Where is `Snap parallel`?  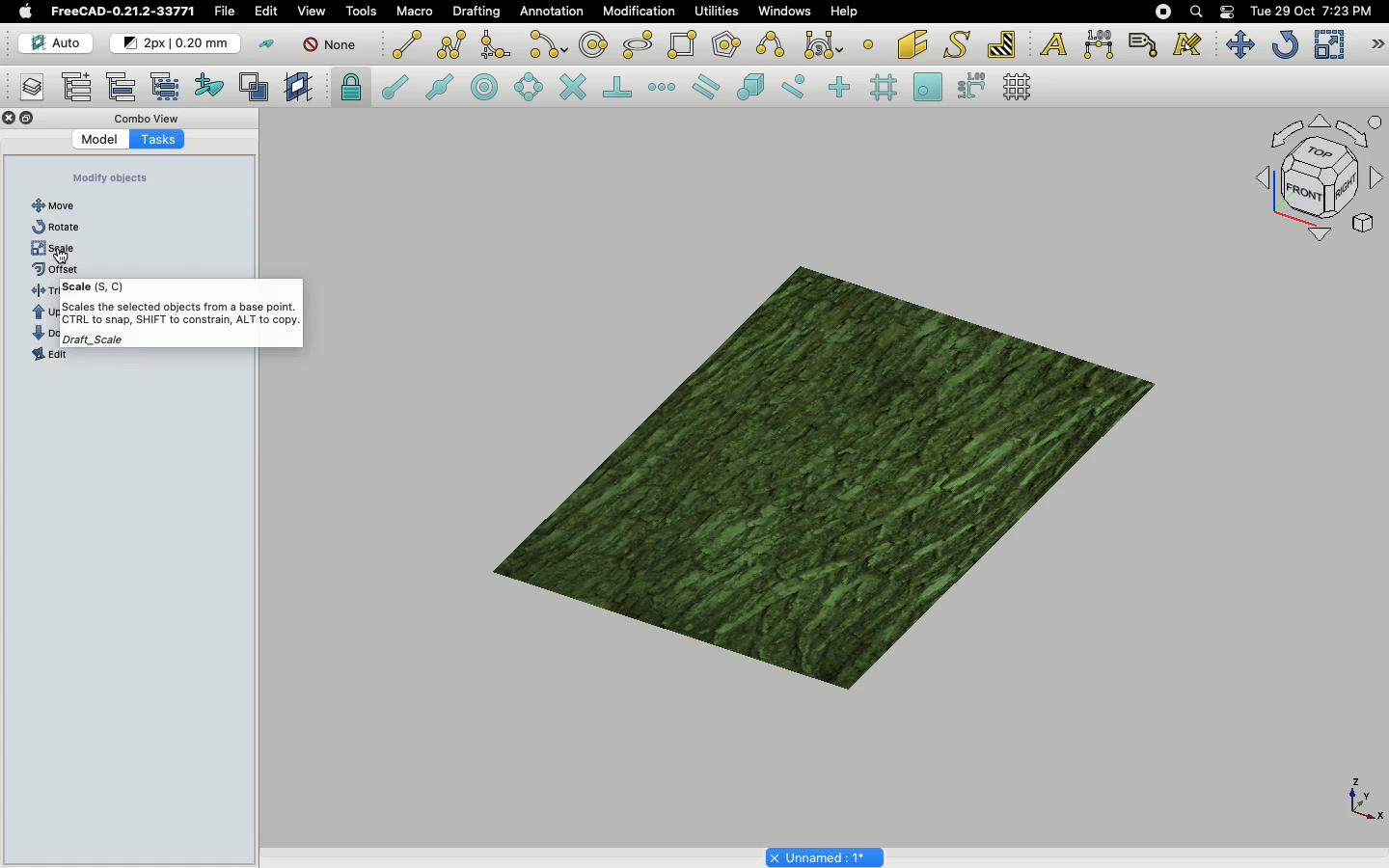
Snap parallel is located at coordinates (704, 87).